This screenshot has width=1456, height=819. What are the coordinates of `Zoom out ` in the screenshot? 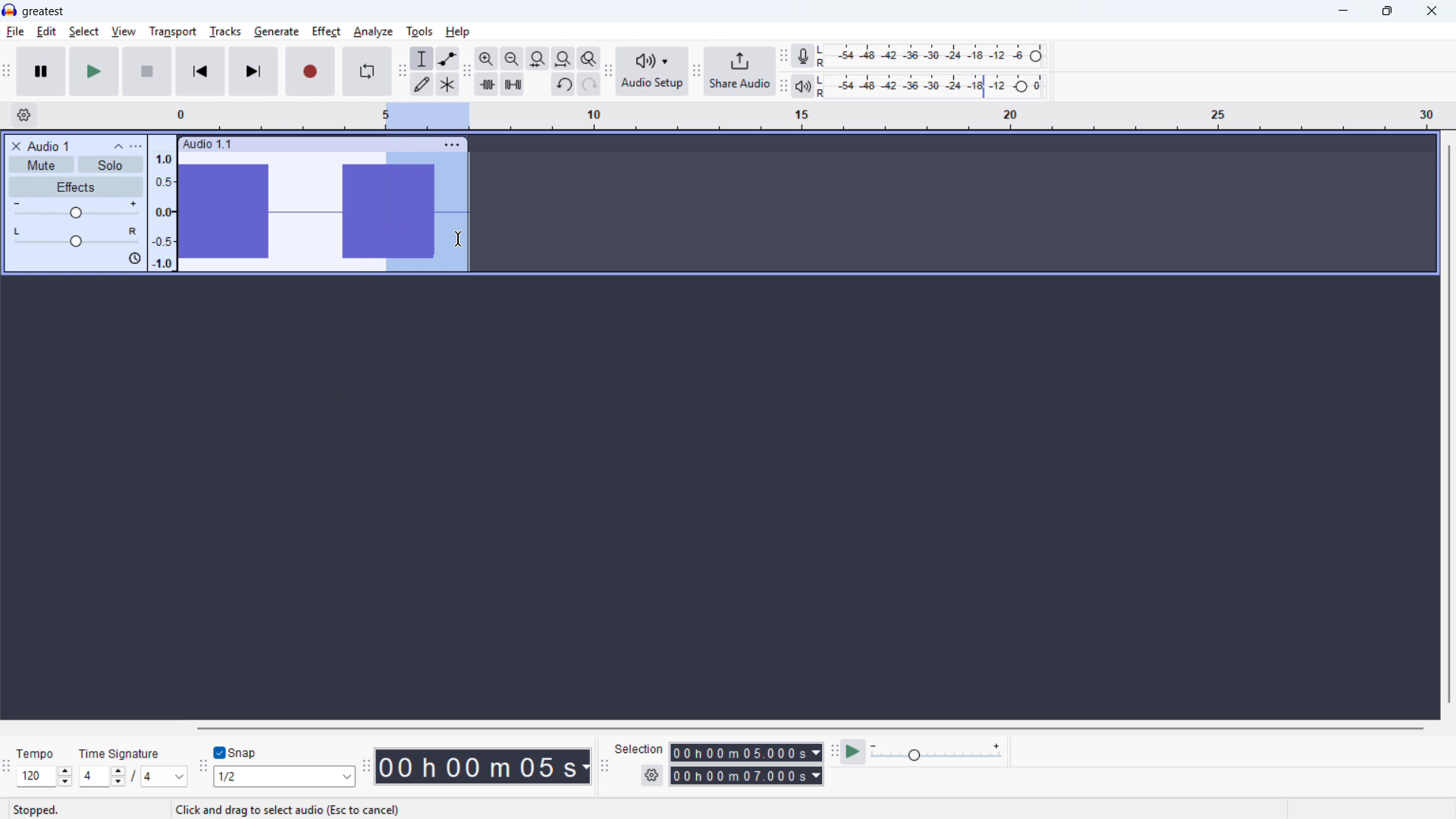 It's located at (513, 59).